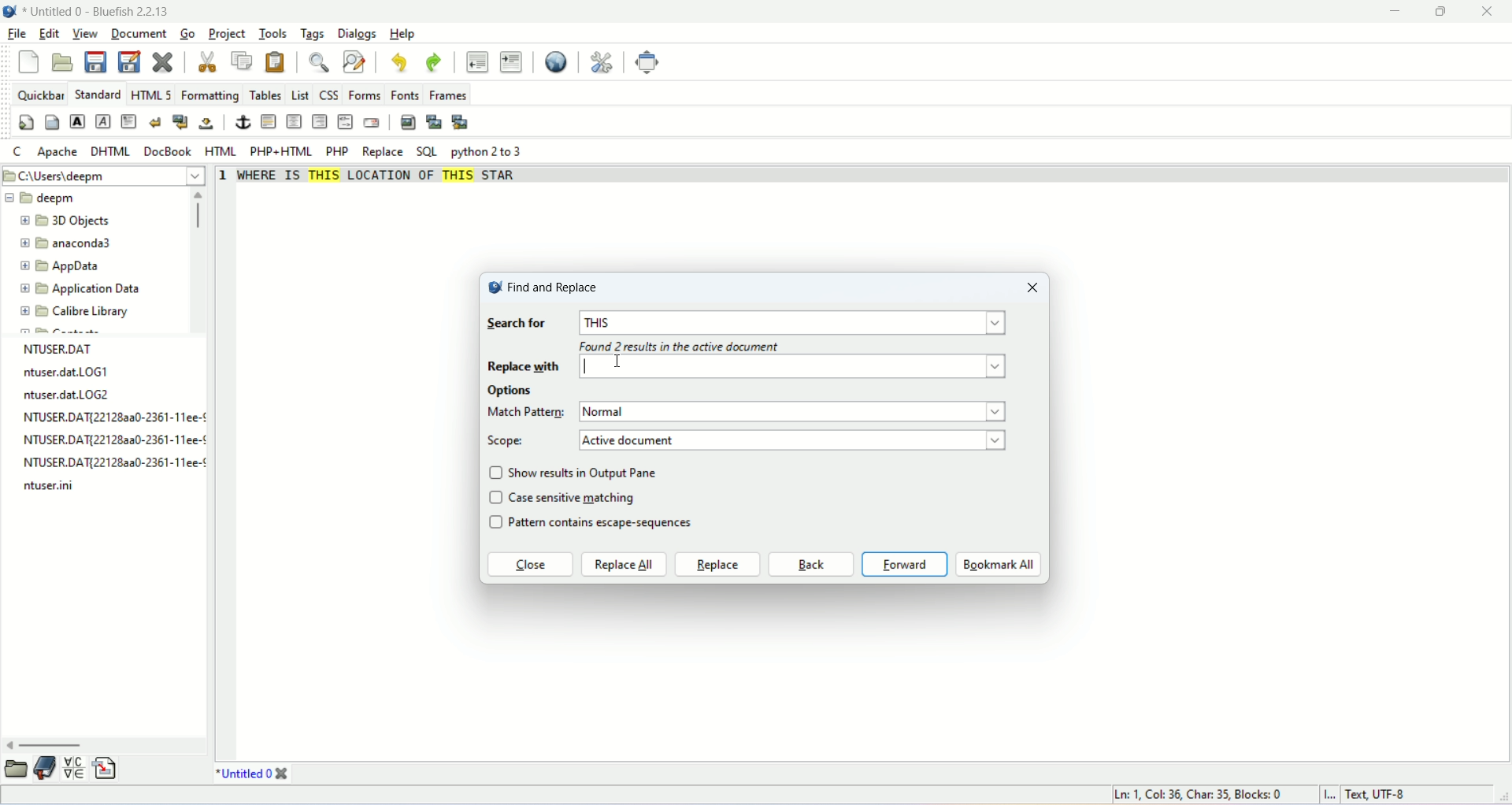 The width and height of the screenshot is (1512, 805). Describe the element at coordinates (301, 95) in the screenshot. I see `list` at that location.